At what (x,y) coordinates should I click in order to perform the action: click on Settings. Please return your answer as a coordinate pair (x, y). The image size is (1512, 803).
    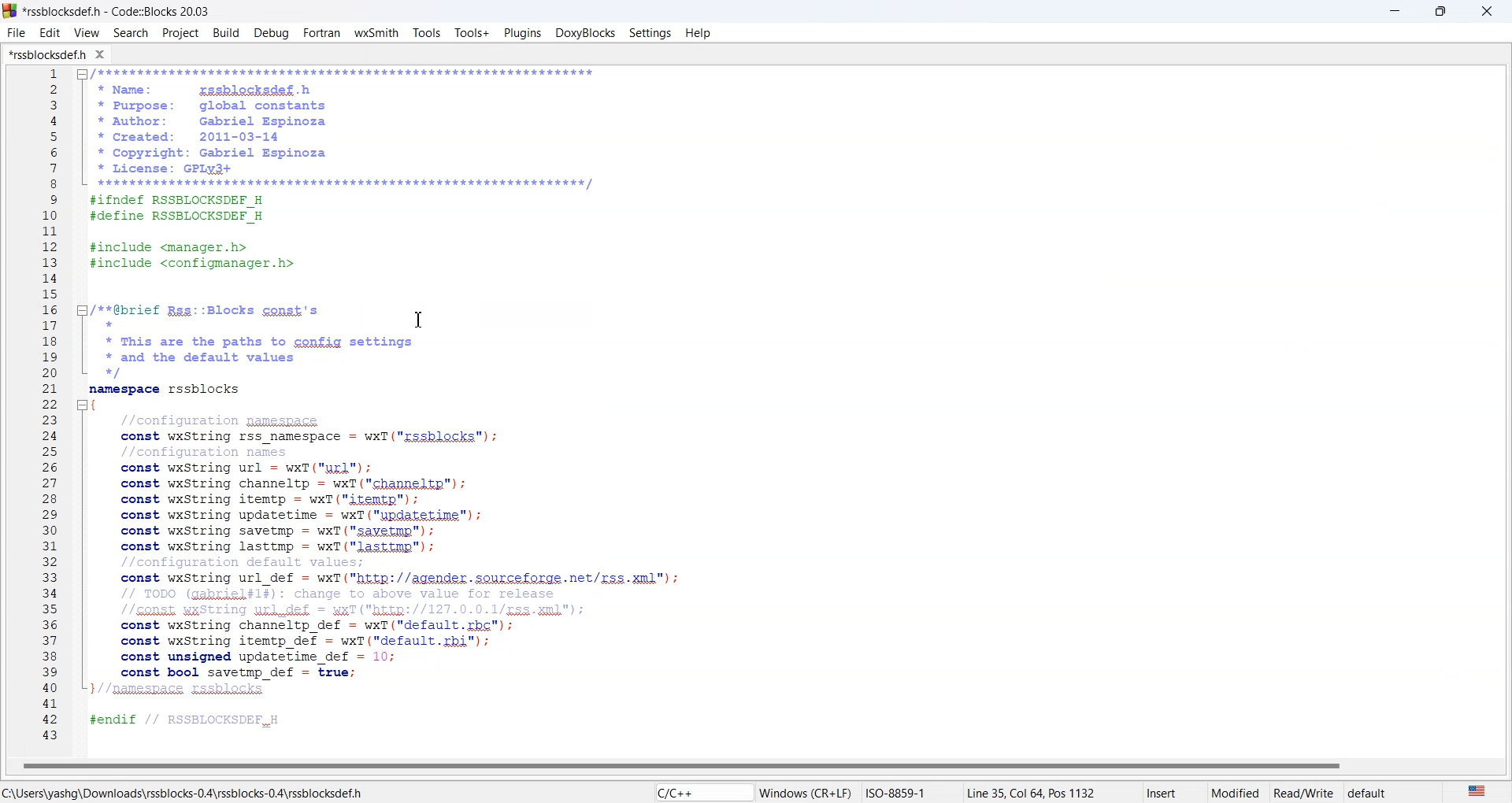
    Looking at the image, I should click on (650, 32).